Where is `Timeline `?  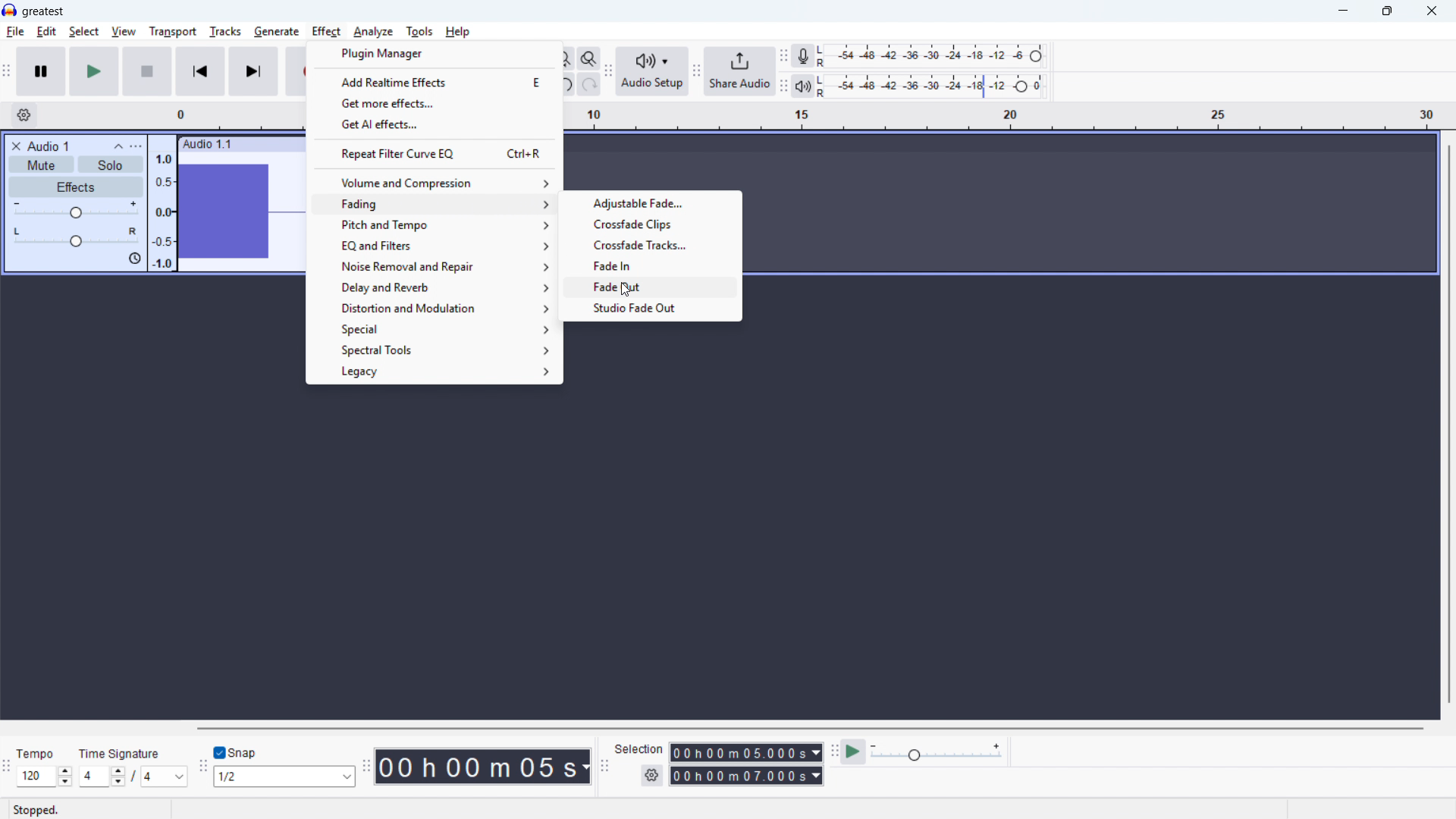
Timeline  is located at coordinates (1003, 117).